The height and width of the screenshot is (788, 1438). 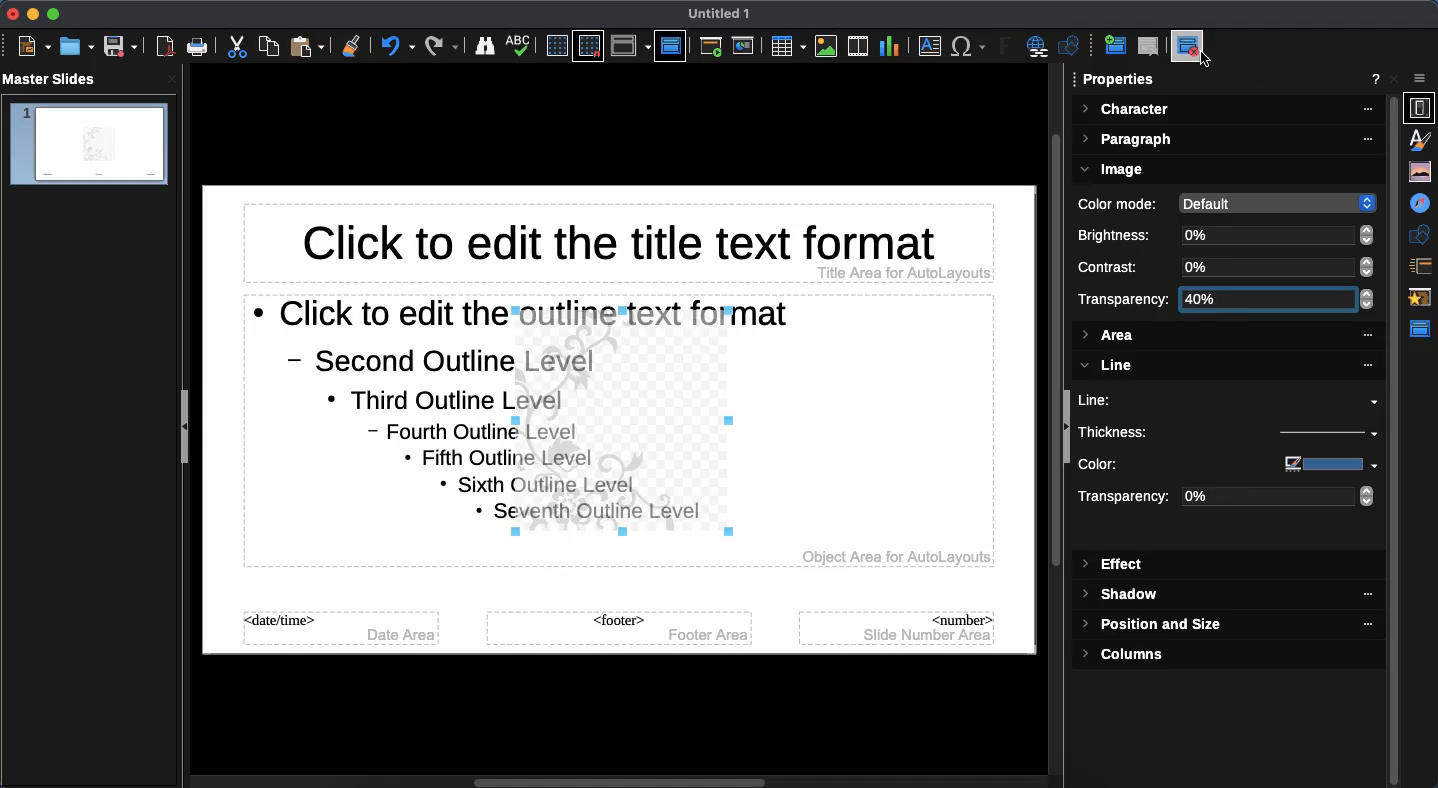 What do you see at coordinates (1422, 204) in the screenshot?
I see `Navigator` at bounding box center [1422, 204].